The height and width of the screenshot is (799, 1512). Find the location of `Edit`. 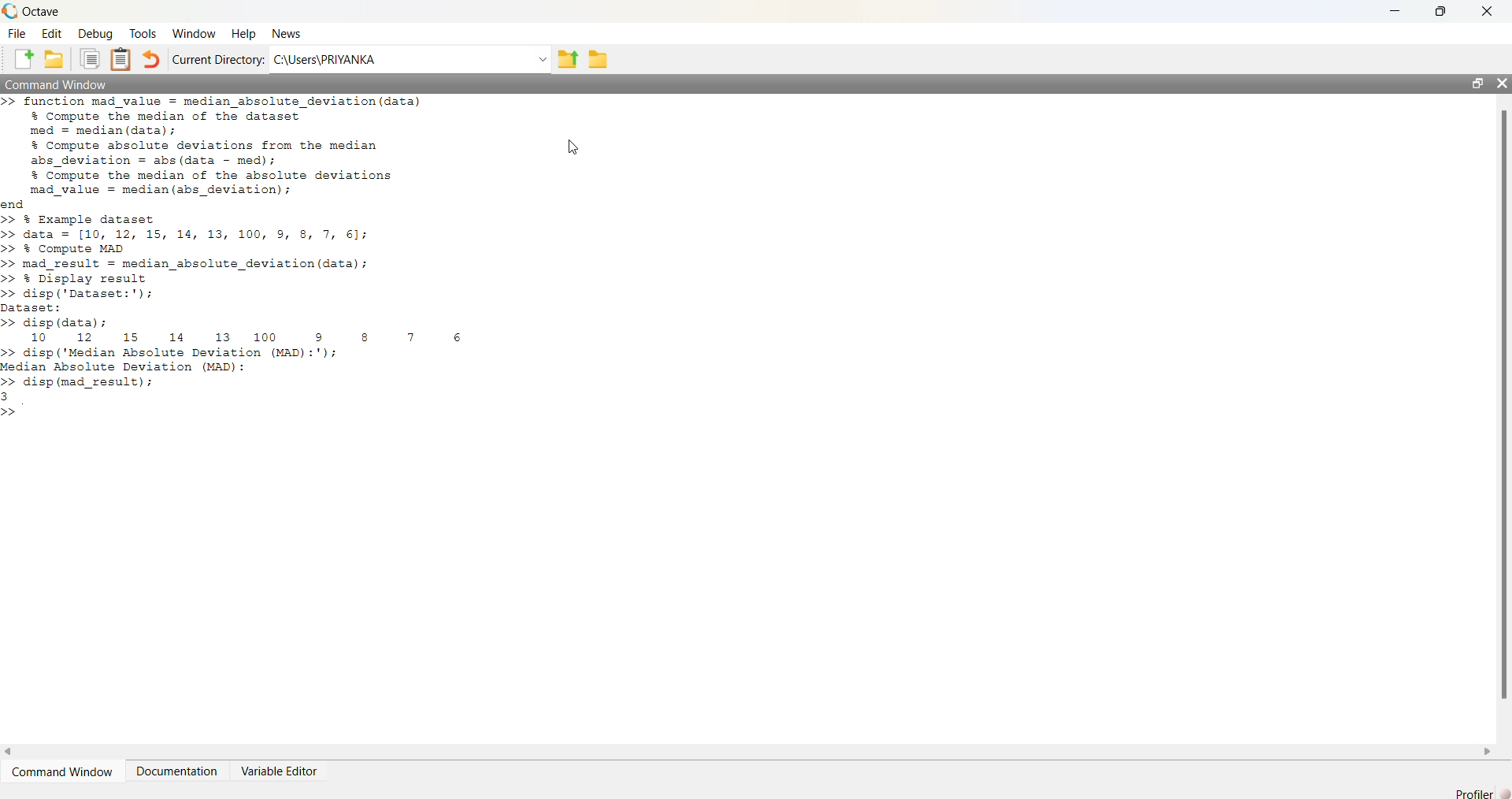

Edit is located at coordinates (54, 32).